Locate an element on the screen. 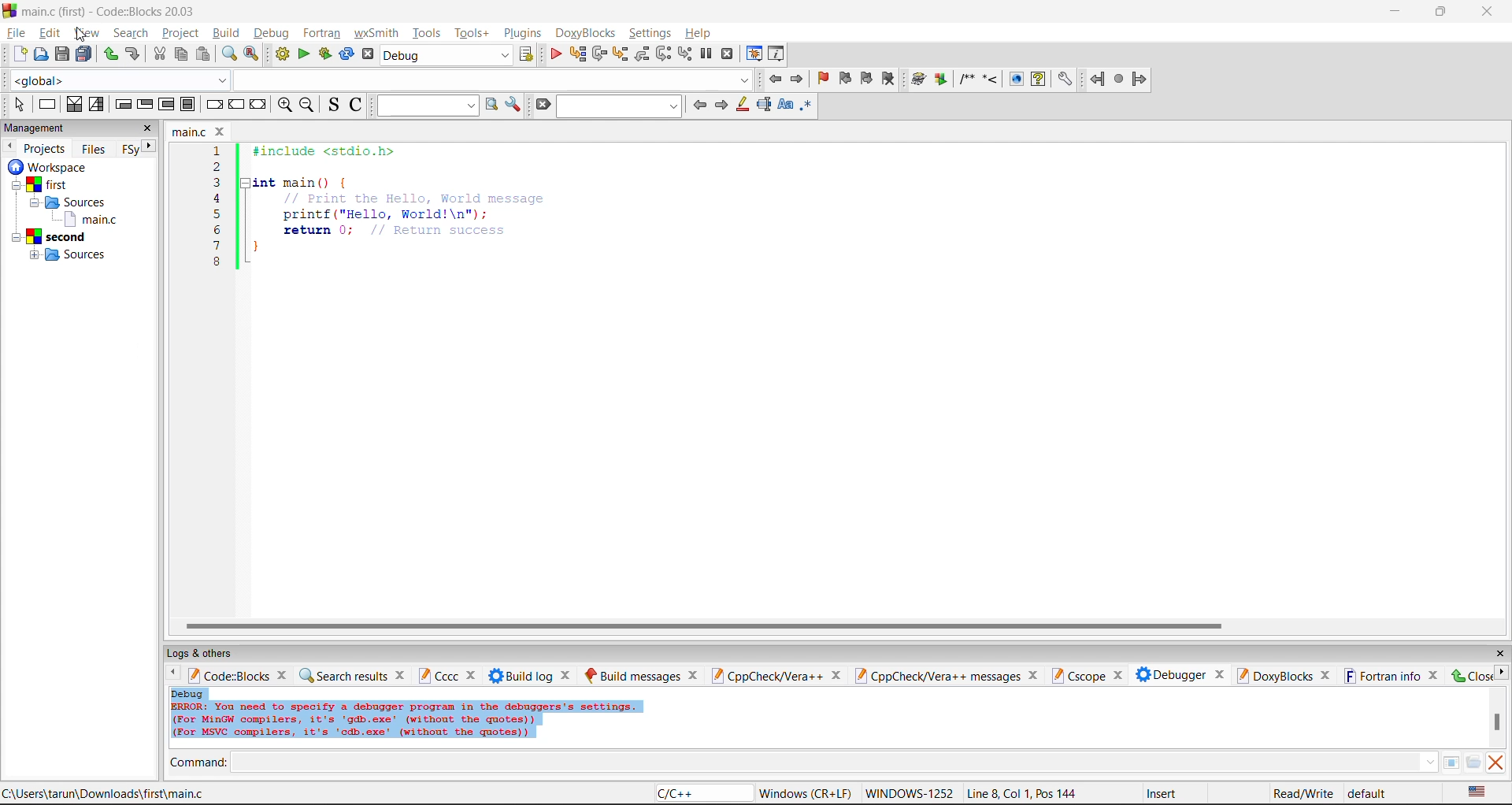 The image size is (1512, 805). show select target dialog is located at coordinates (528, 57).